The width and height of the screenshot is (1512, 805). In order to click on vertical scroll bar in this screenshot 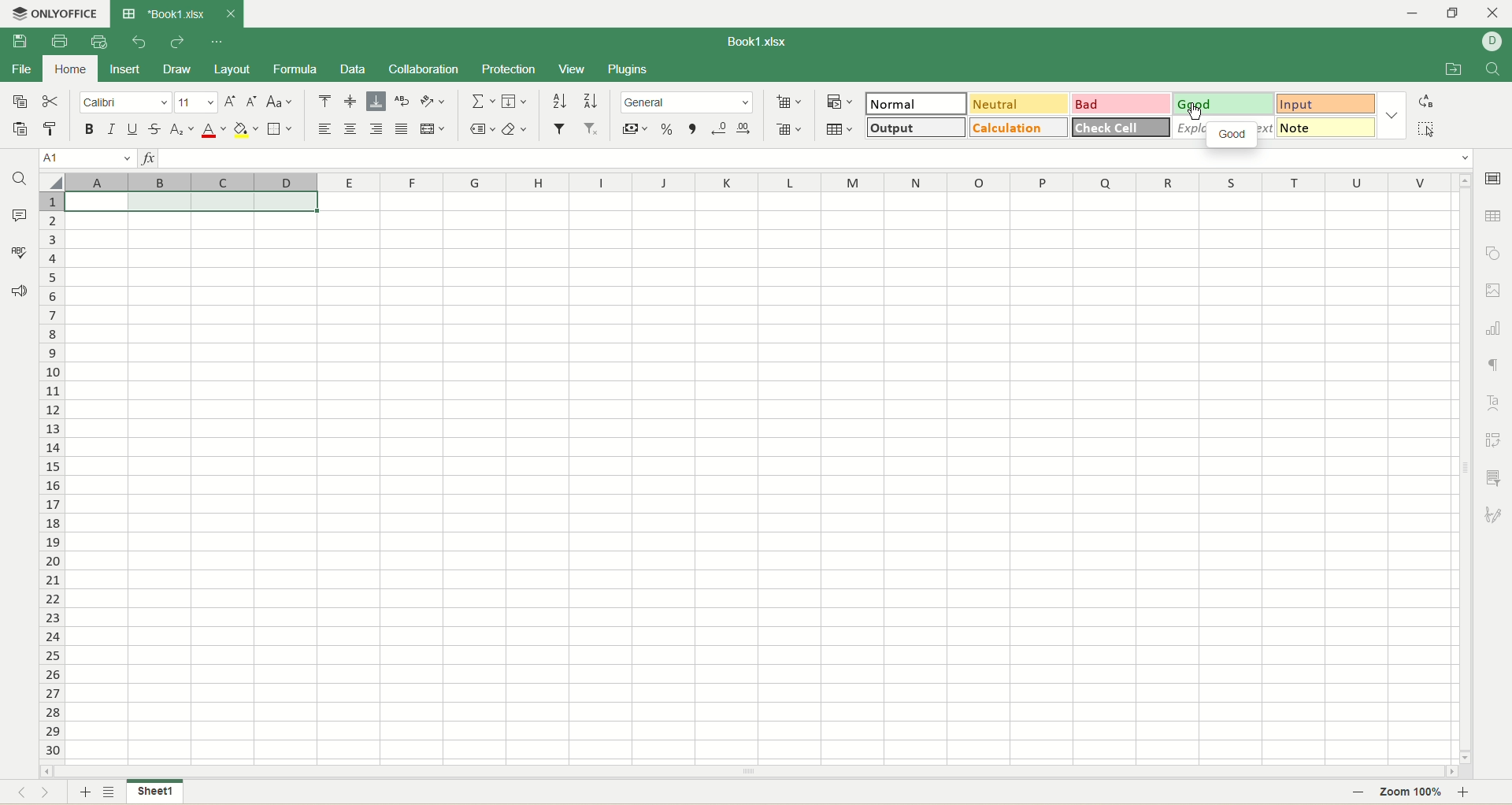, I will do `click(1463, 467)`.